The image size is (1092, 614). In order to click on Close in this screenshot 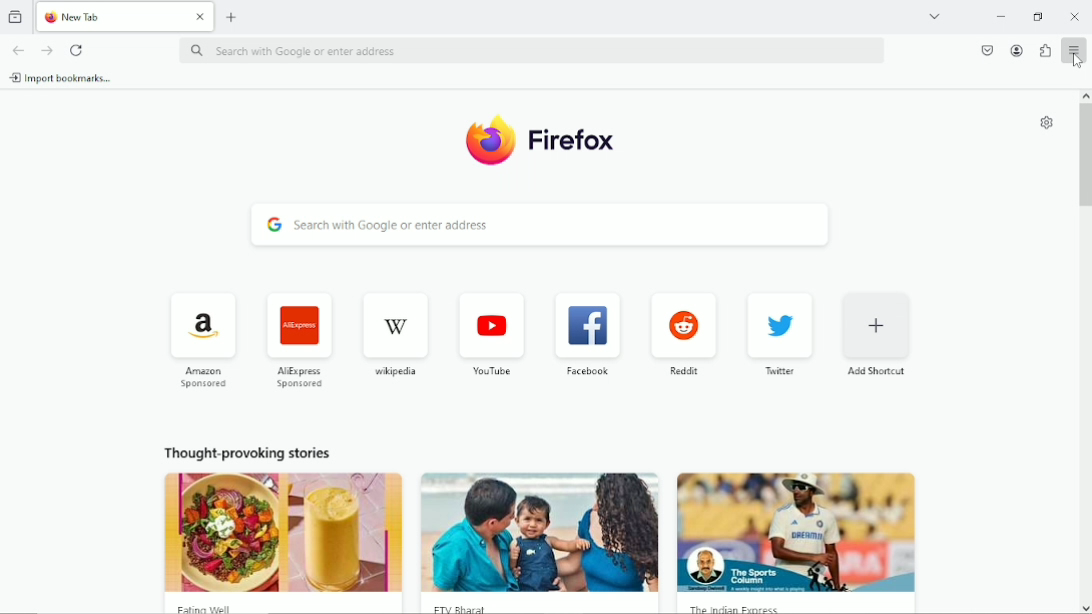, I will do `click(200, 17)`.